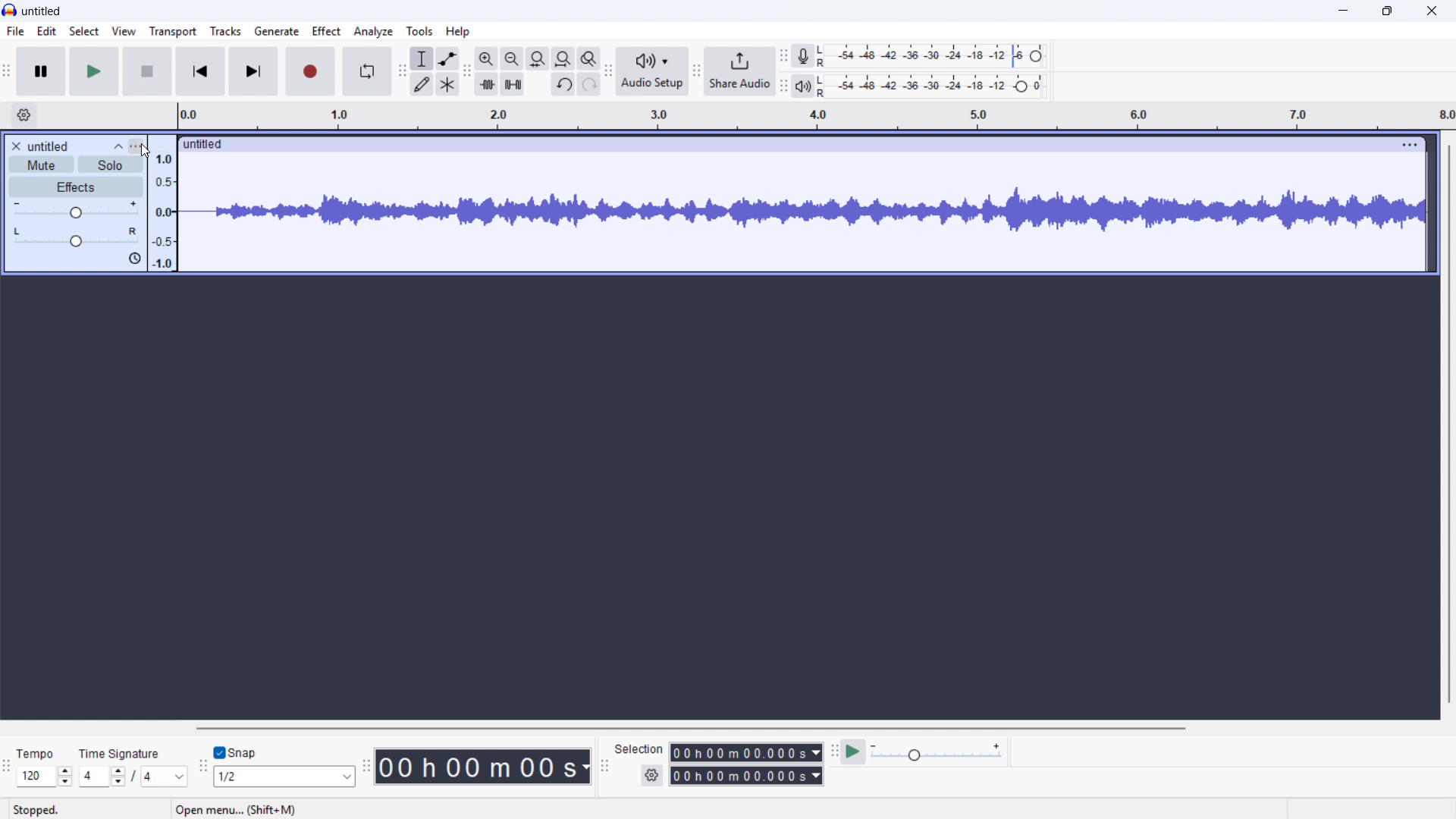 This screenshot has height=819, width=1456. Describe the element at coordinates (16, 33) in the screenshot. I see `file ` at that location.